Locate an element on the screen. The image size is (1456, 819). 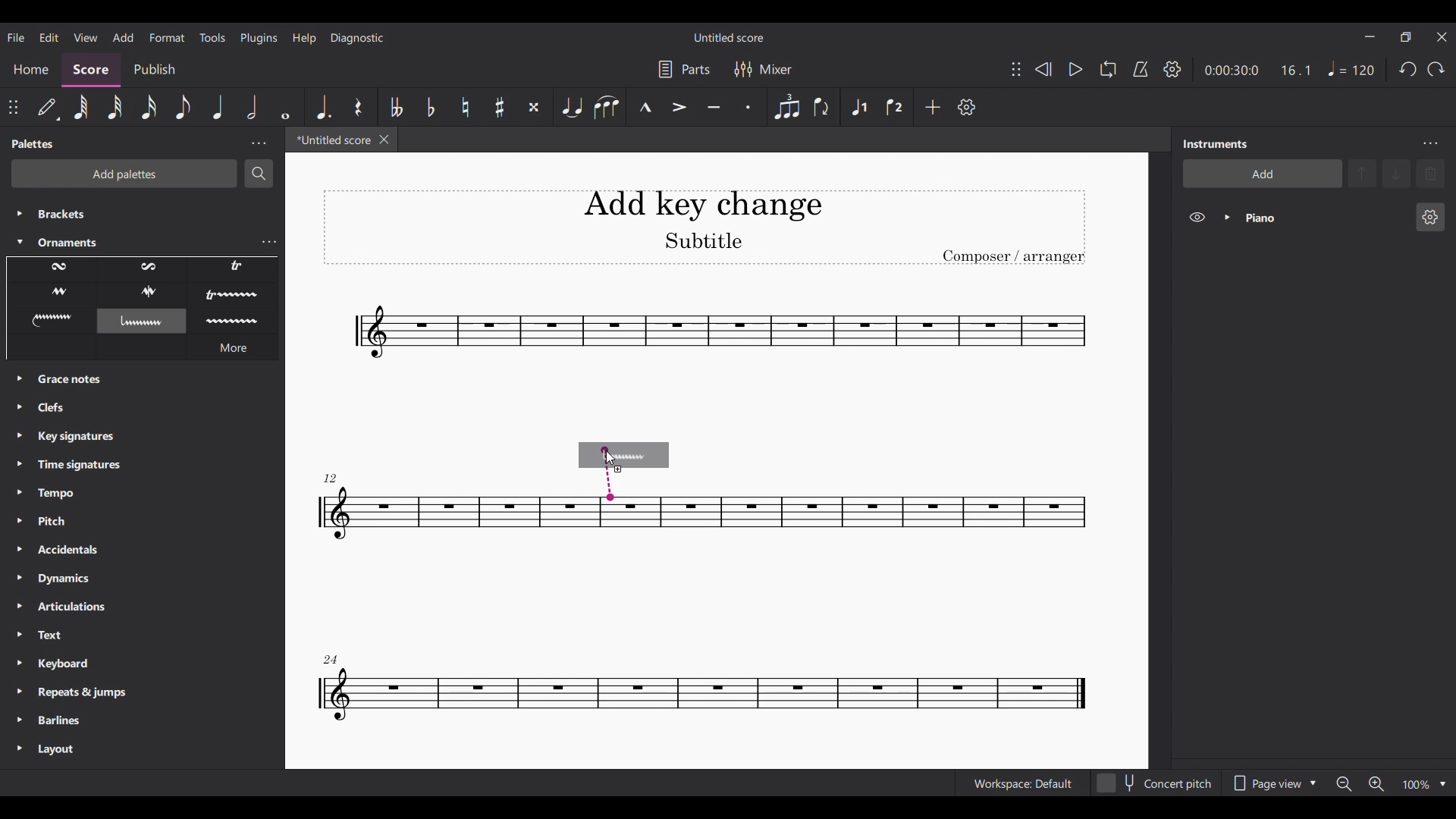
Add menu is located at coordinates (124, 36).